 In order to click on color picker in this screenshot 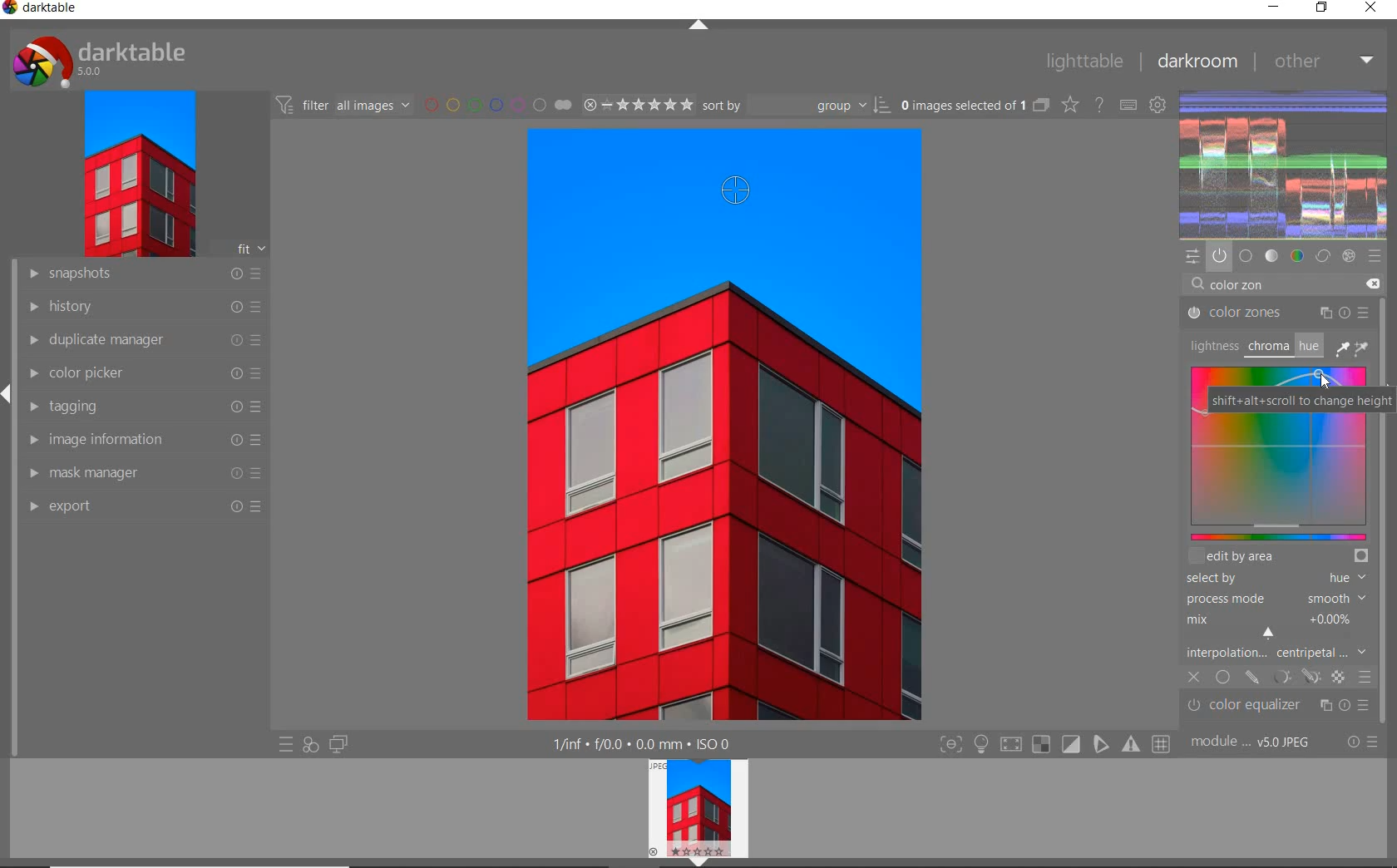, I will do `click(142, 376)`.